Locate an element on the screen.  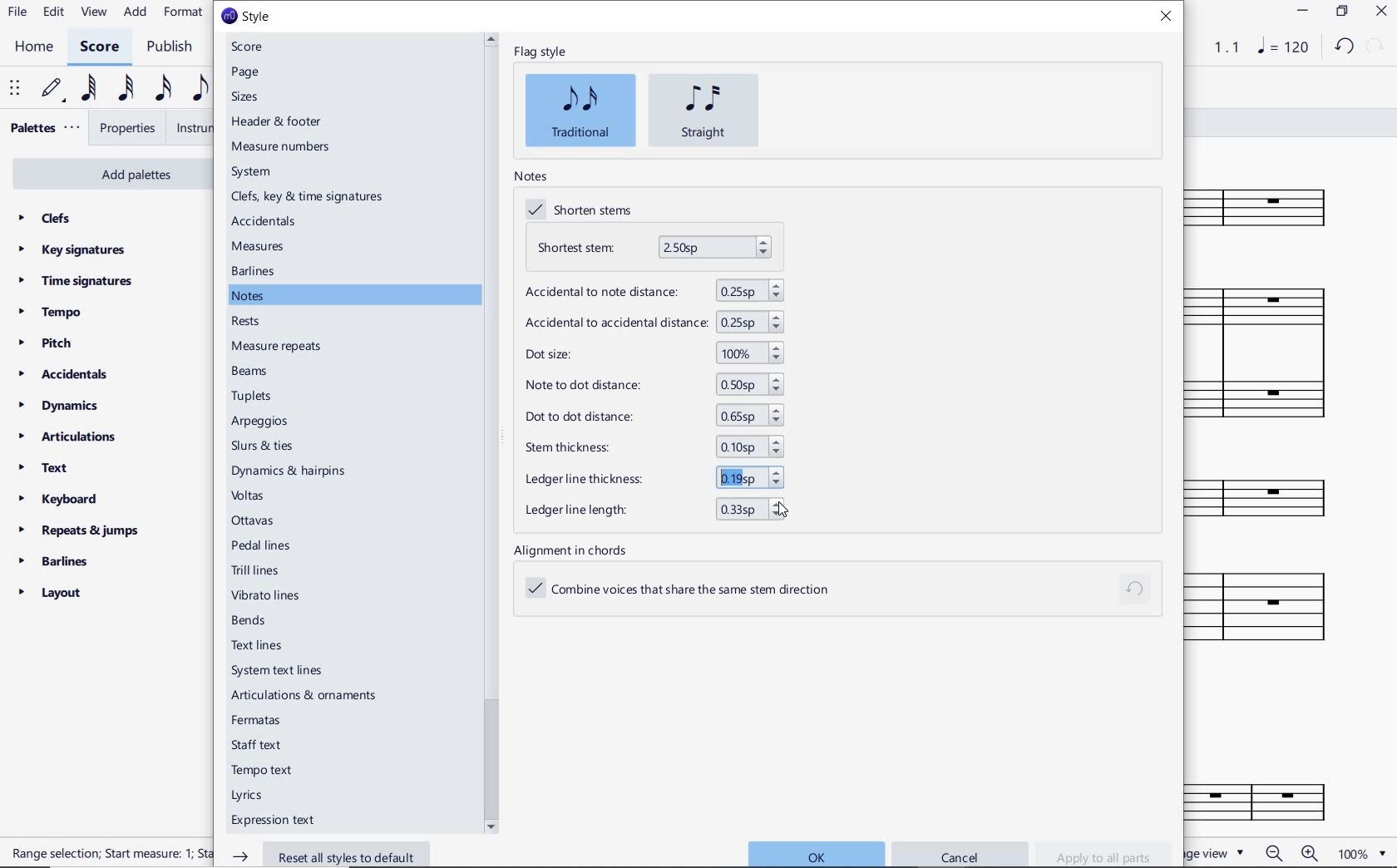
64th note is located at coordinates (91, 88).